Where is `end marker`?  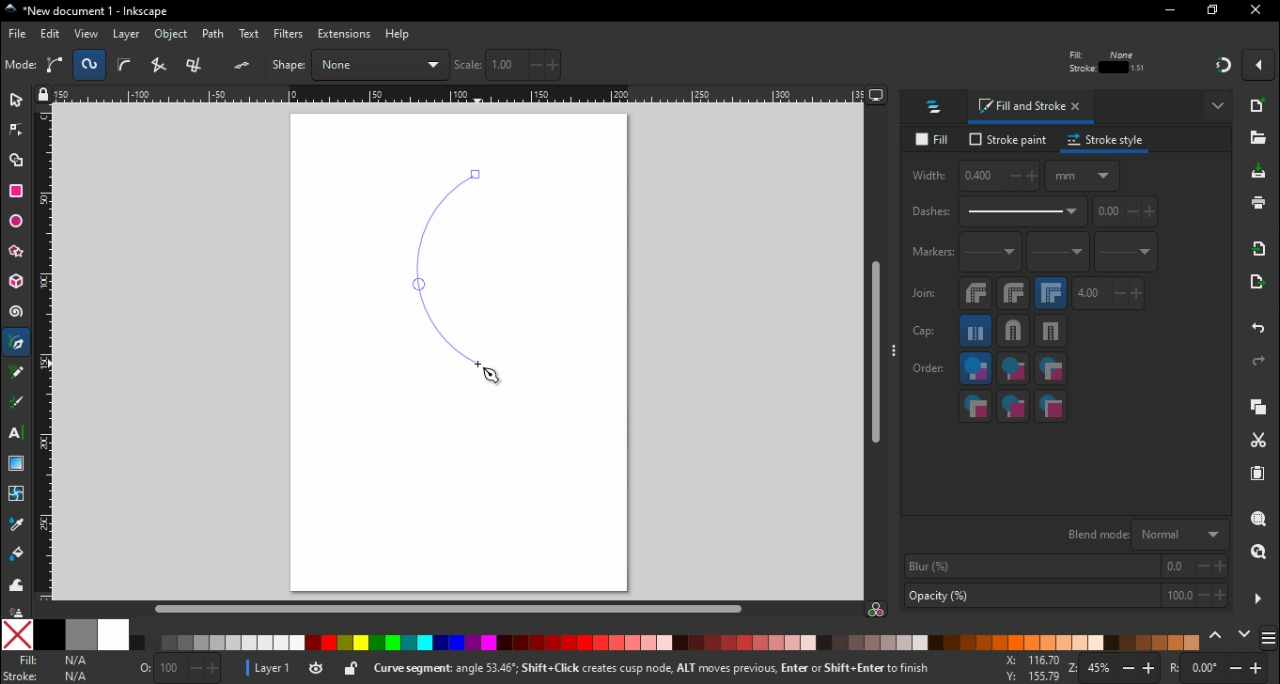 end marker is located at coordinates (1128, 255).